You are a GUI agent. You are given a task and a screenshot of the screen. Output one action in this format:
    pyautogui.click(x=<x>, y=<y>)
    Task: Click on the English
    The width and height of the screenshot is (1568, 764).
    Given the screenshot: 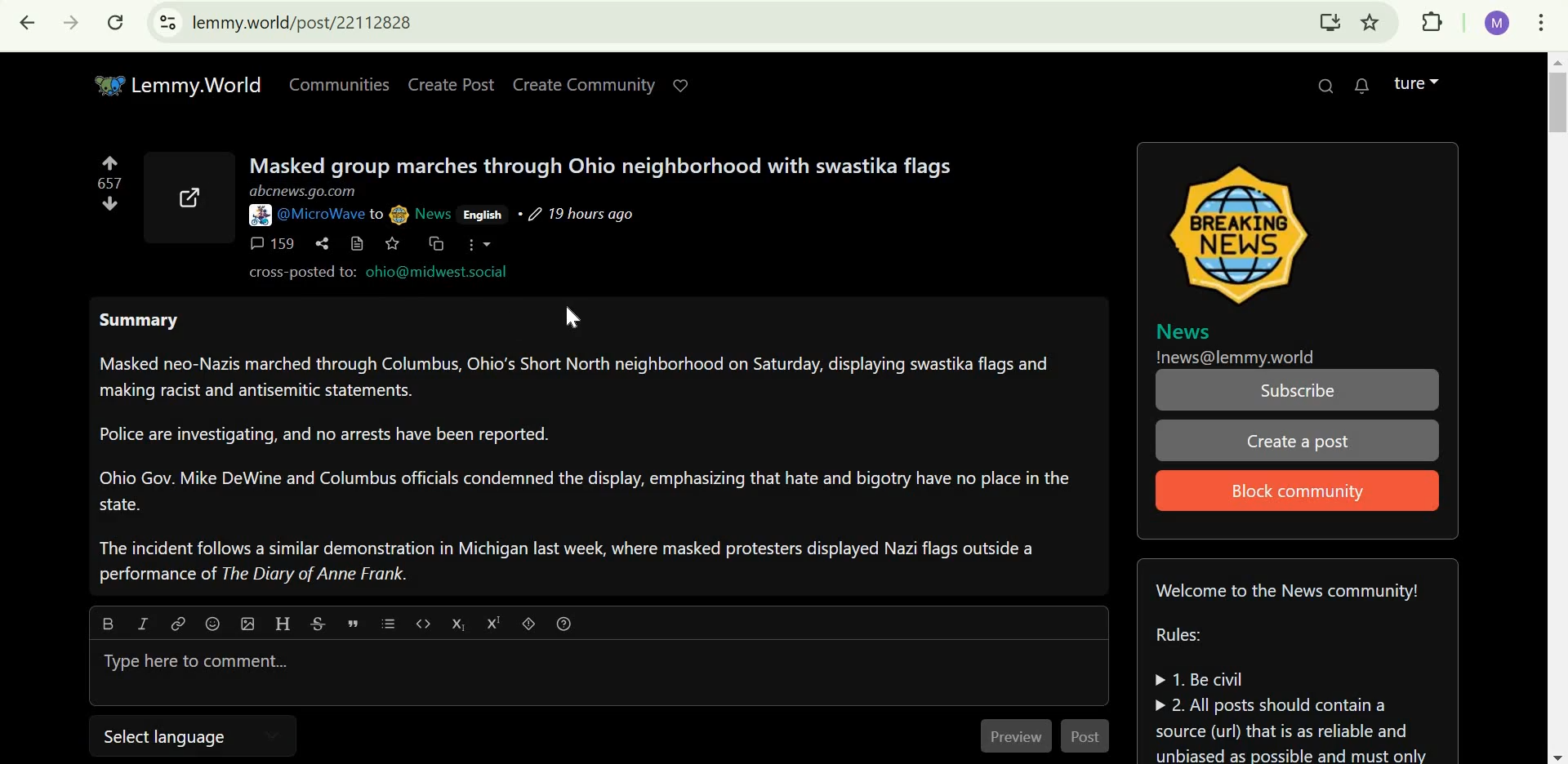 What is the action you would take?
    pyautogui.click(x=483, y=214)
    